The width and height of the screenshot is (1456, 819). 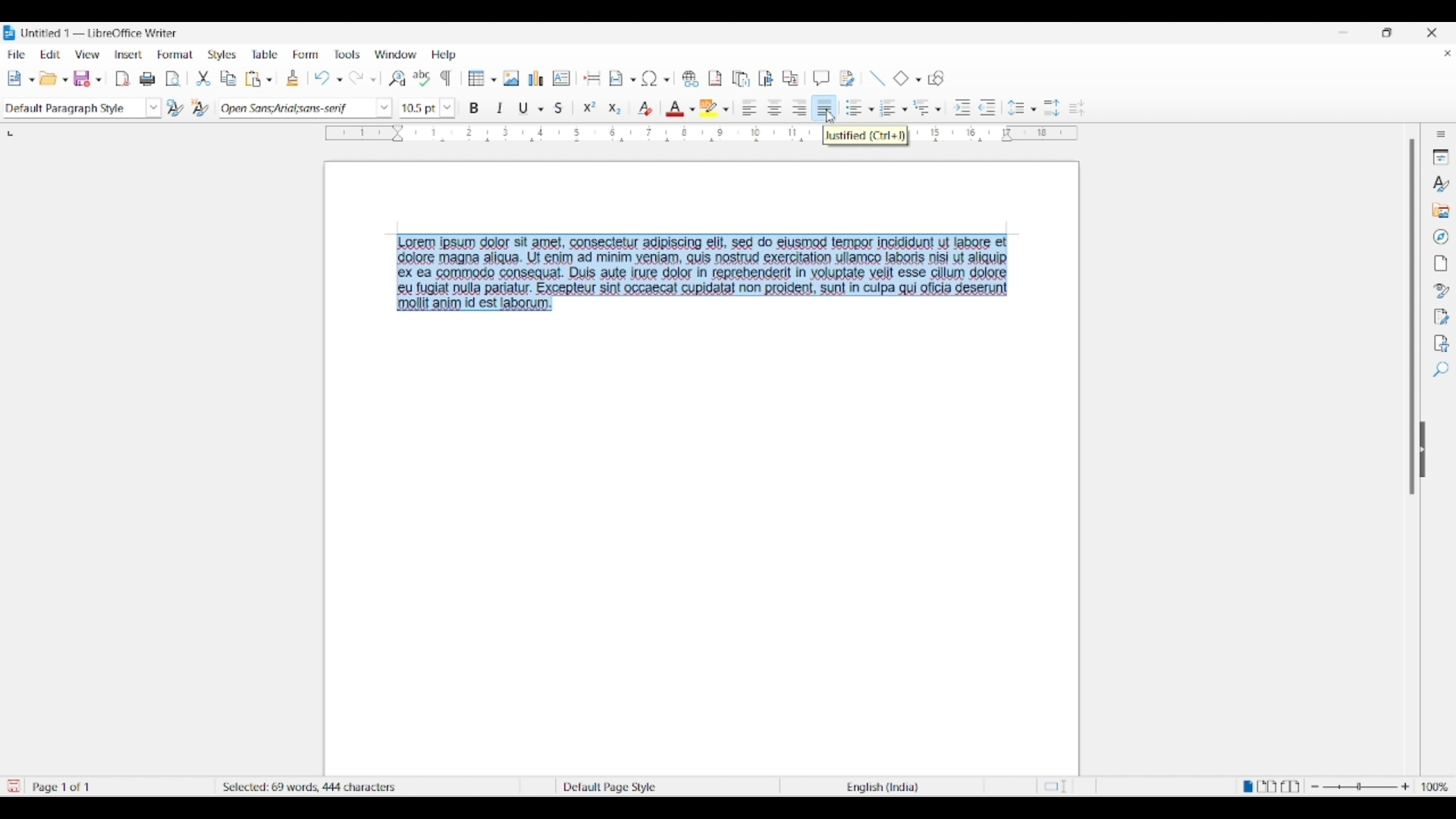 I want to click on Selected underline for text, so click(x=523, y=108).